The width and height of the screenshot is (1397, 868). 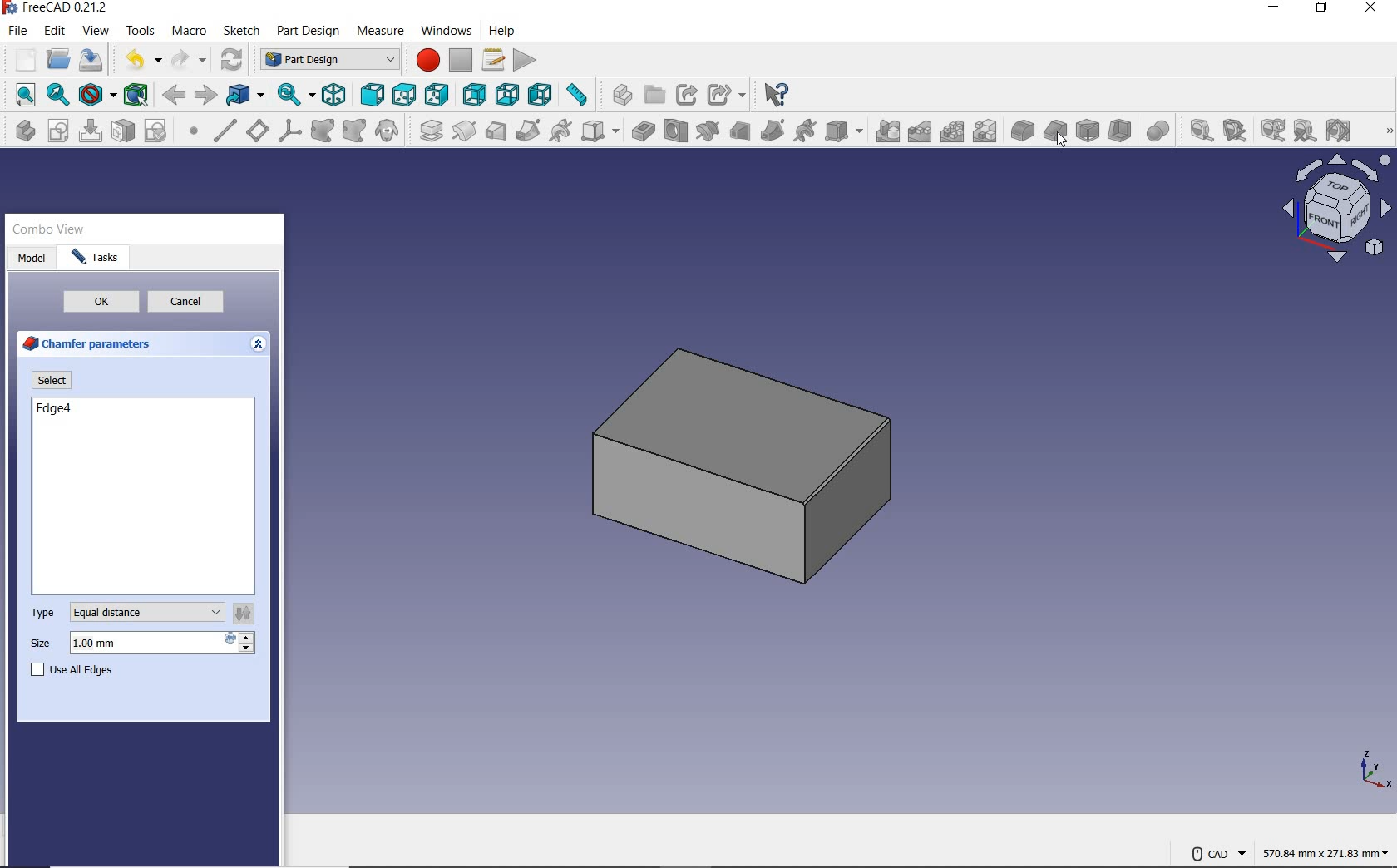 What do you see at coordinates (403, 94) in the screenshot?
I see `top` at bounding box center [403, 94].